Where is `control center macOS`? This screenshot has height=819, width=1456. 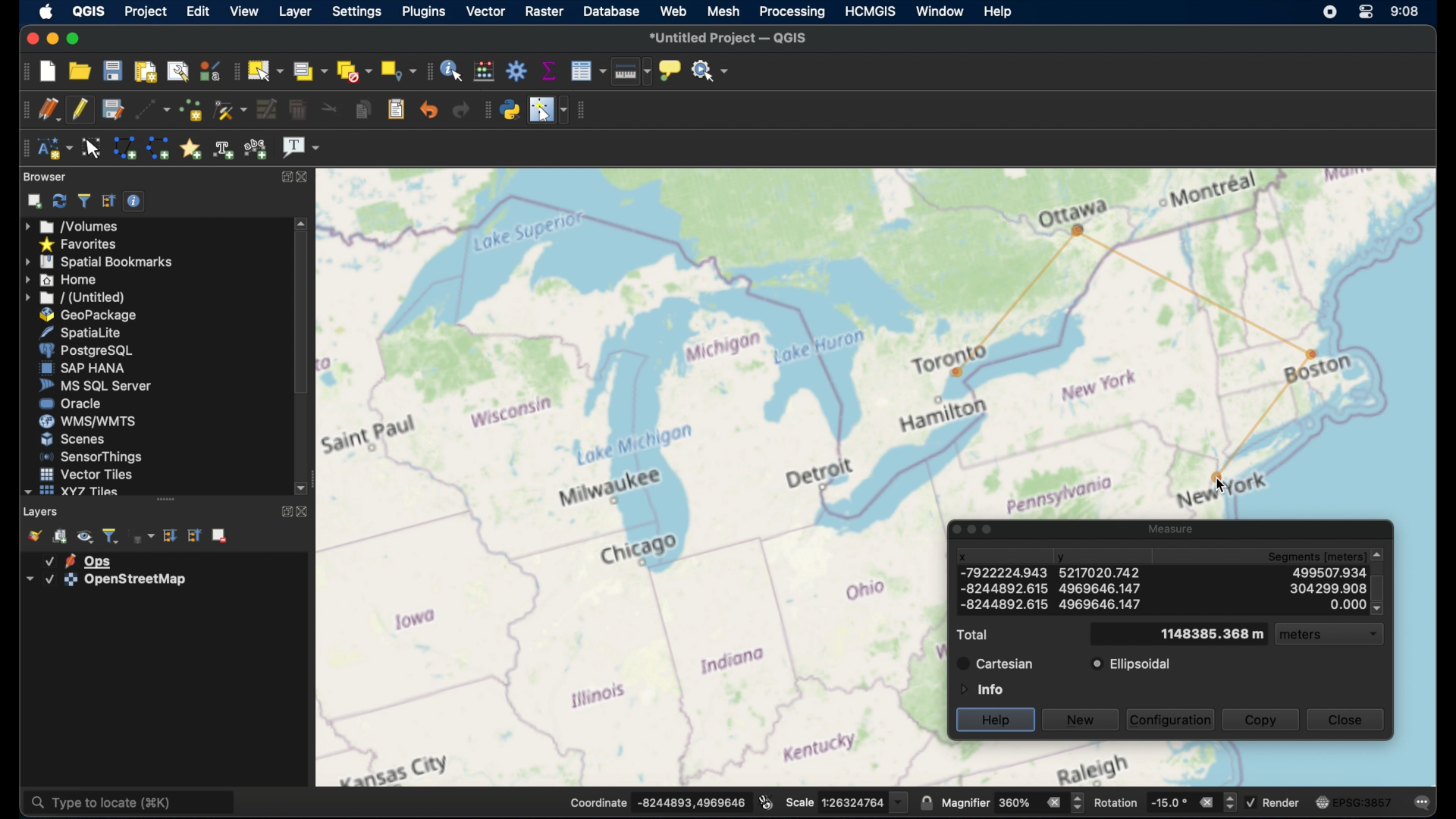 control center macOS is located at coordinates (1364, 13).